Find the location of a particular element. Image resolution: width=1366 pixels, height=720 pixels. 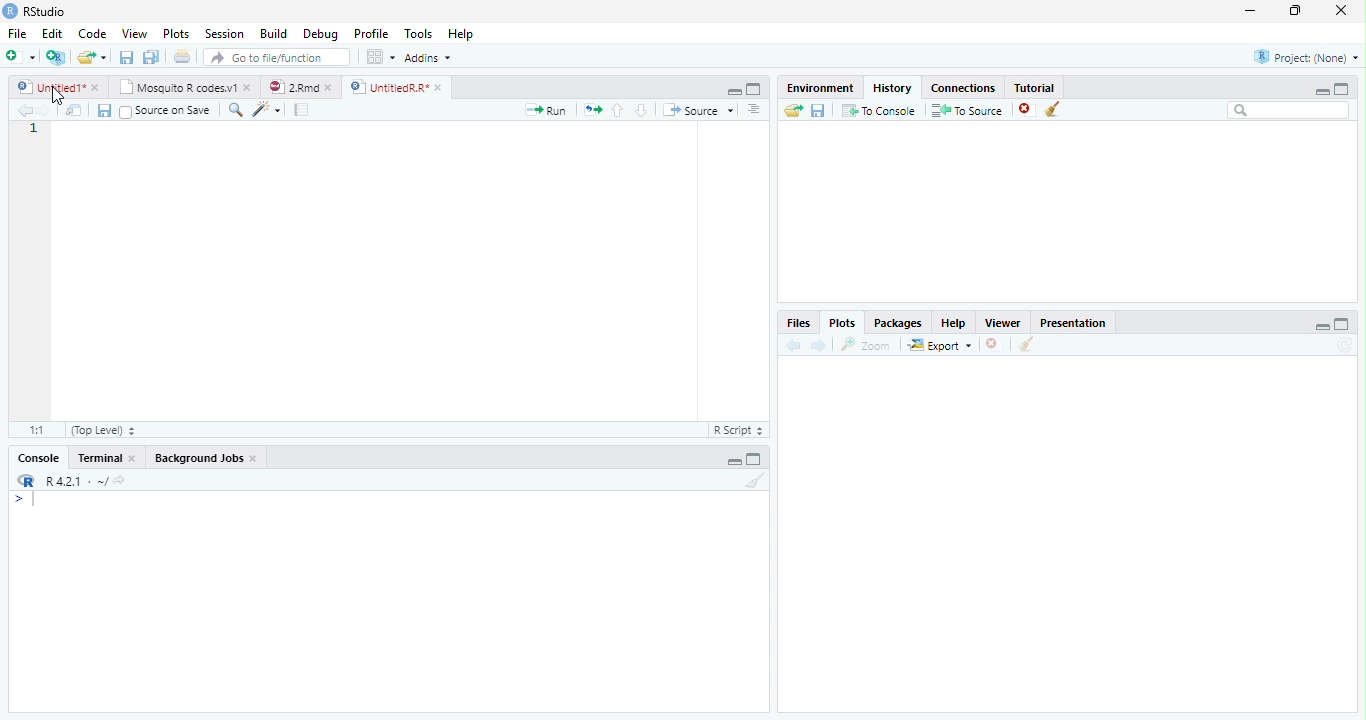

Minimize is located at coordinates (734, 461).